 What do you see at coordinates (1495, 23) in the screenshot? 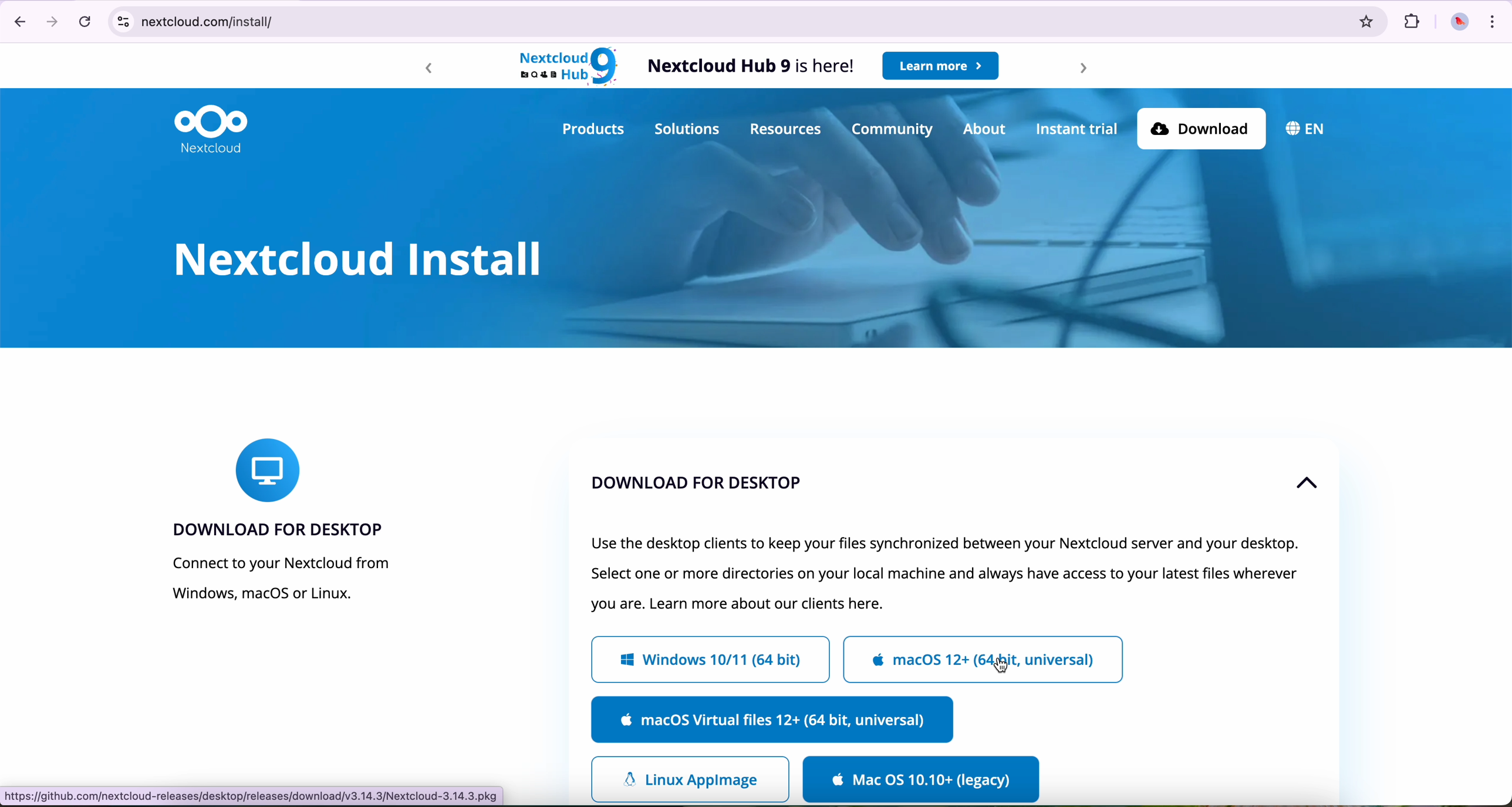
I see `customize and control Google Chrome` at bounding box center [1495, 23].